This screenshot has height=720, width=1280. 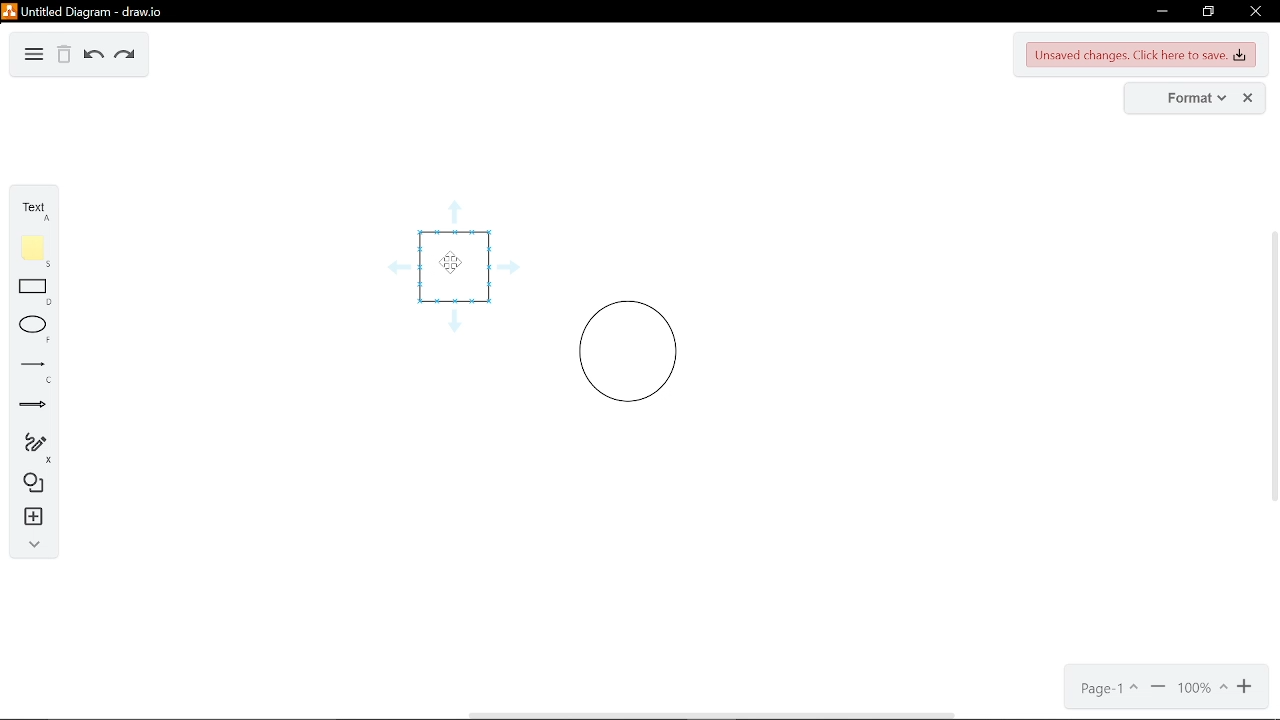 What do you see at coordinates (64, 56) in the screenshot?
I see `delete` at bounding box center [64, 56].